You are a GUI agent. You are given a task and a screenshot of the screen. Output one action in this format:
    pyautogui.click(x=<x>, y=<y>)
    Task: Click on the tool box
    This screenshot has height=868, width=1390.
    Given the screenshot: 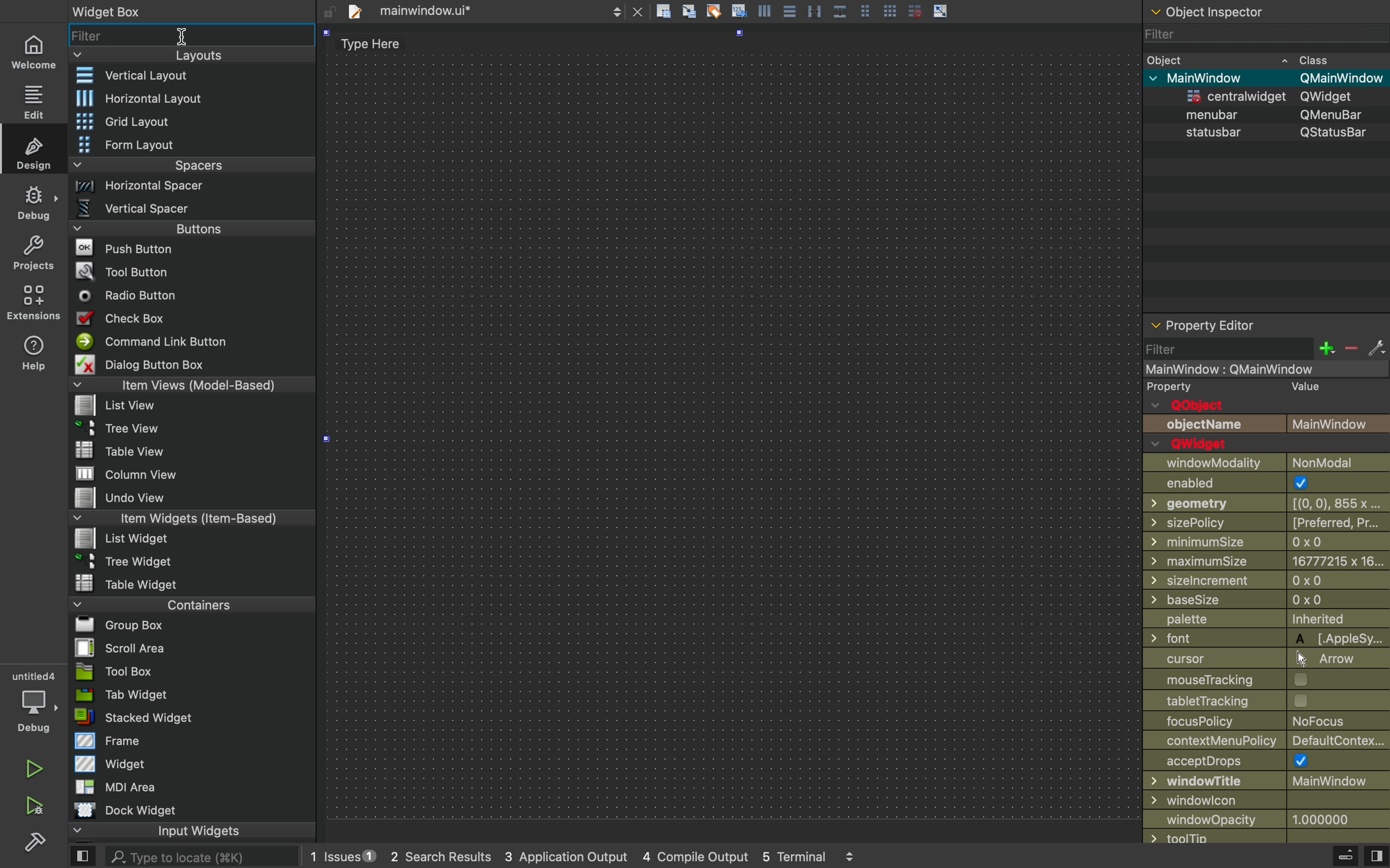 What is the action you would take?
    pyautogui.click(x=194, y=672)
    